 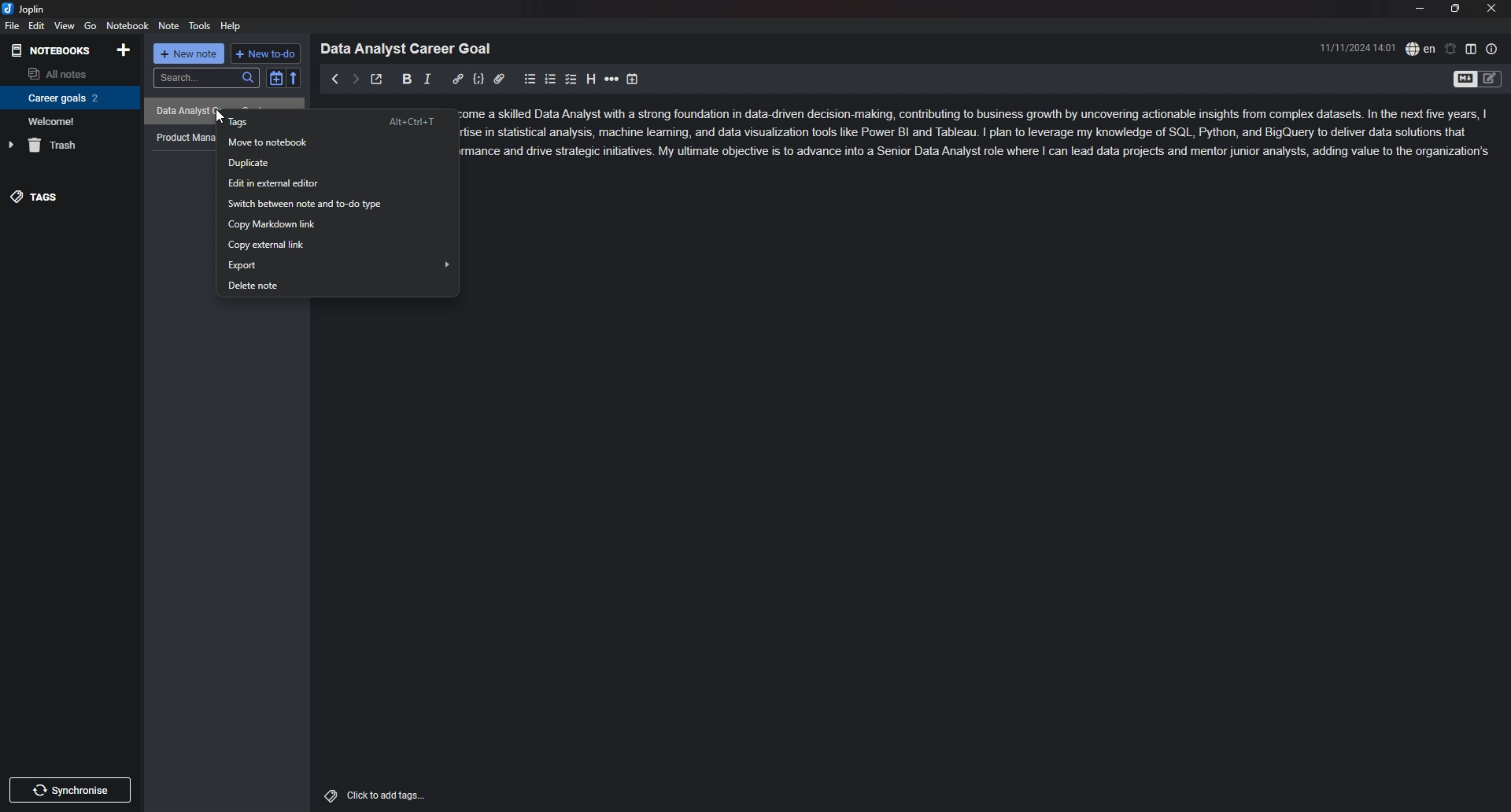 I want to click on ne a skilled Data Analyst with a strong foundation in data-driven decision-making, contributing to business growth by uncovering actionable insights from complex datasets. In the next five years, |
e in statistical analysis, machine learning, and data visualization tools like Power BI and Tableau. | plan to leverage my knowledge of SQL, Python, and BigQuery to deliver data solutions that
ance and drive strategic initiatives. My ultimate objective is to advance into a Senior Data Analyst role where | can lead data projects and mentor junior analysts, adding value to the organization's, so click(x=987, y=135).